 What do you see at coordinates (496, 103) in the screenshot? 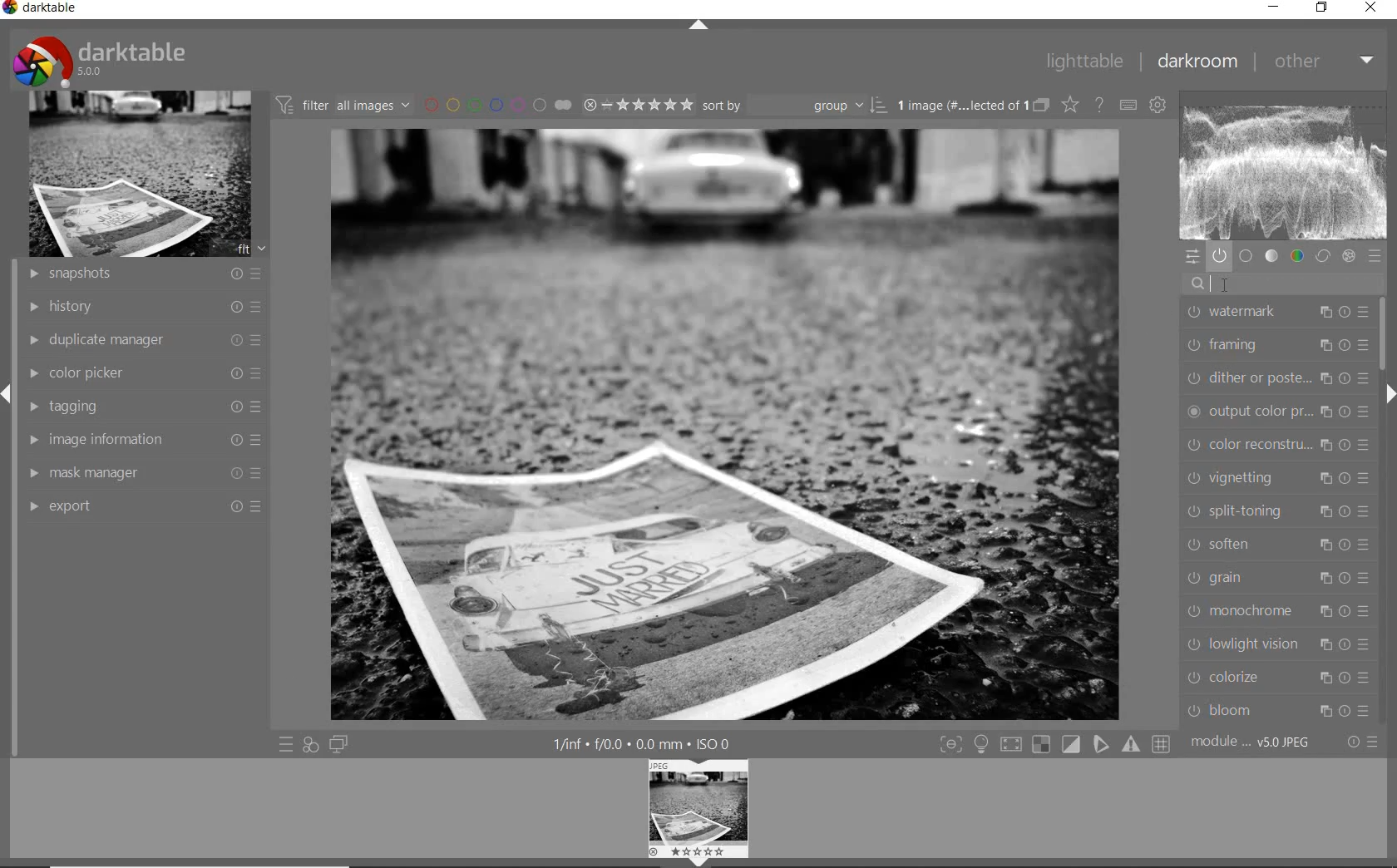
I see `filter by image color lebel` at bounding box center [496, 103].